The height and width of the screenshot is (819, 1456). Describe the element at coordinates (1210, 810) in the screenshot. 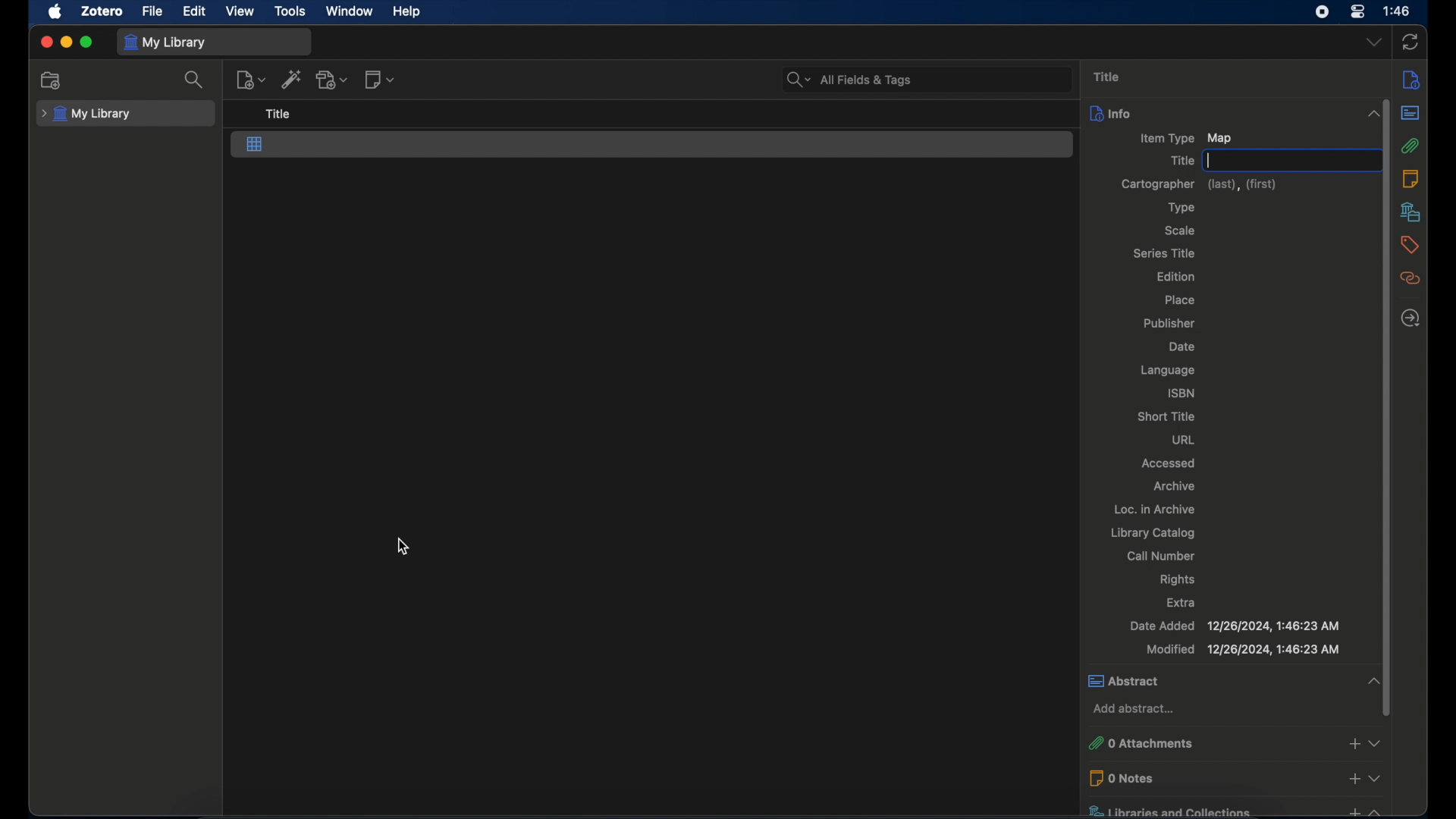

I see `libraries and collections` at that location.